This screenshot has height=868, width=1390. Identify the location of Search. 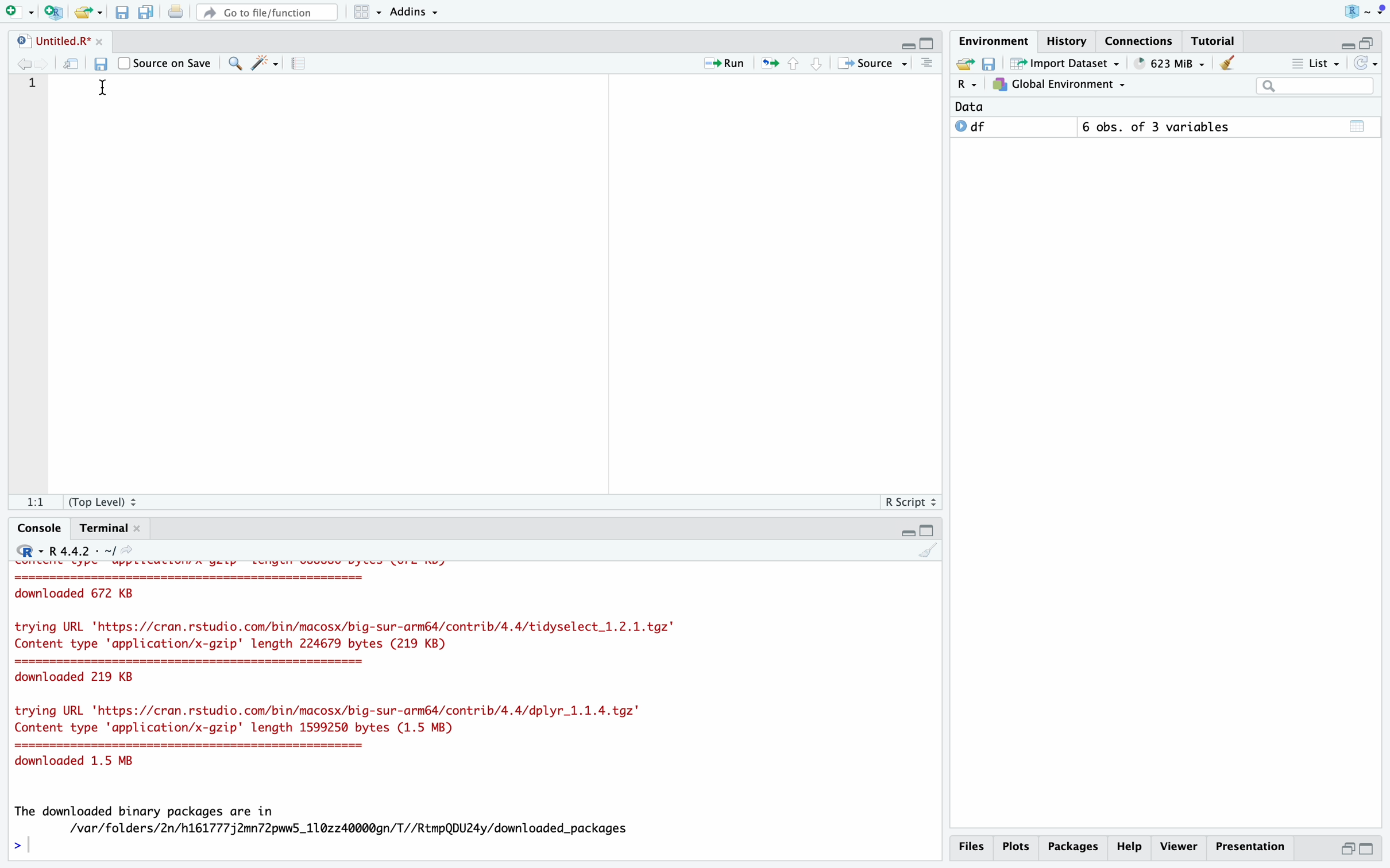
(1317, 86).